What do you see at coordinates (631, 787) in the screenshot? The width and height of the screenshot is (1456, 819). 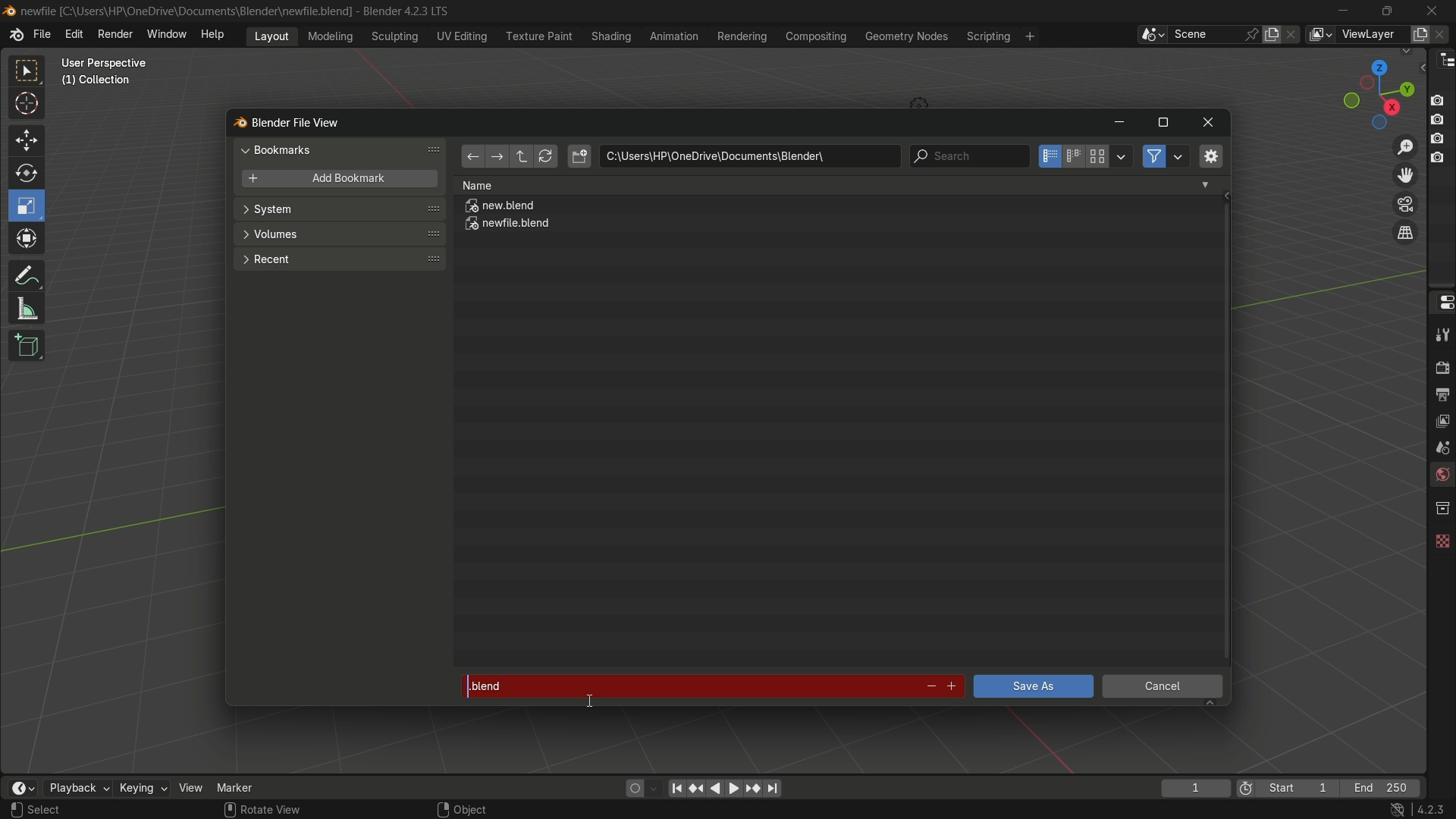 I see `auto keying` at bounding box center [631, 787].